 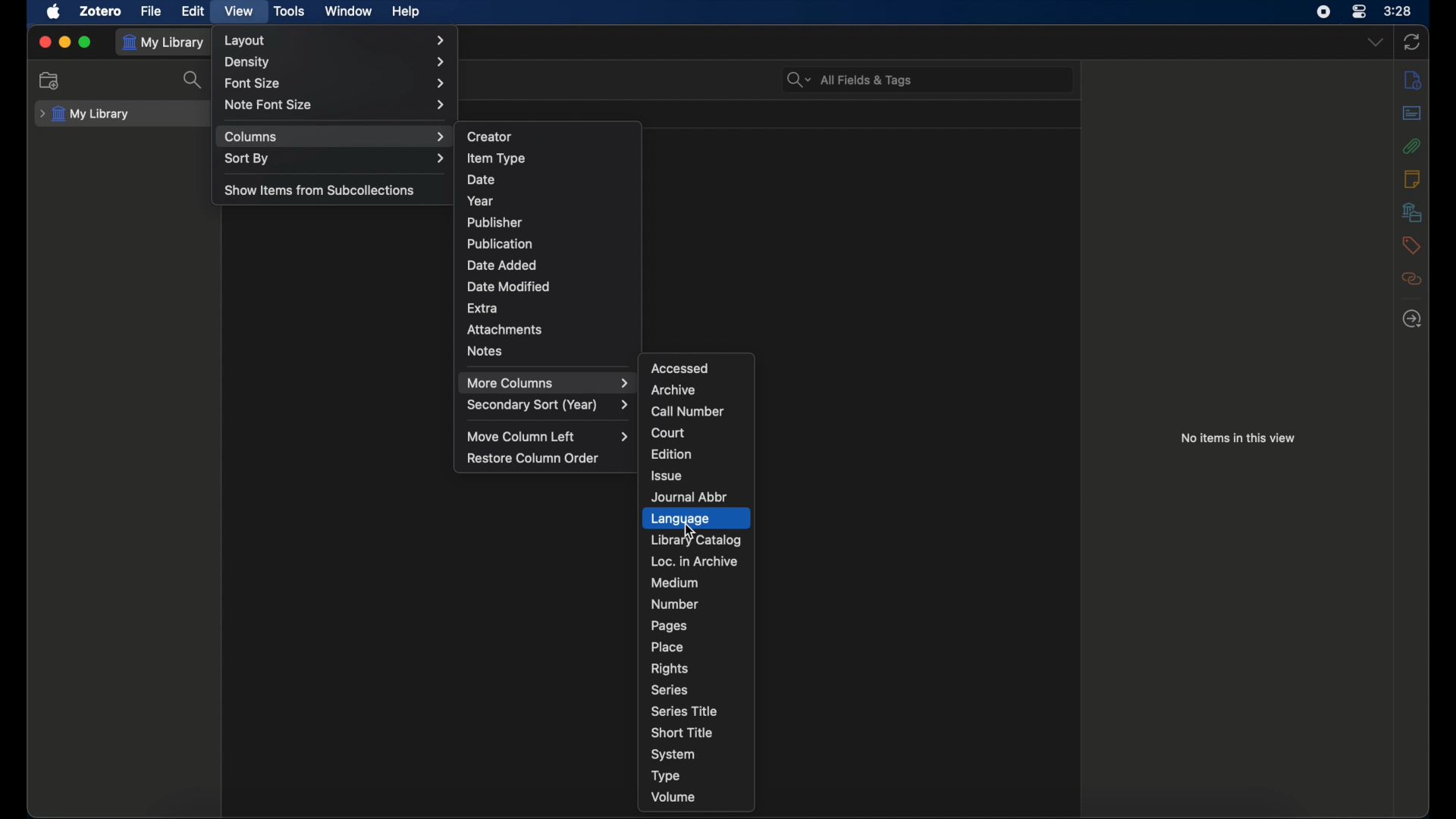 What do you see at coordinates (167, 45) in the screenshot?
I see `my library` at bounding box center [167, 45].